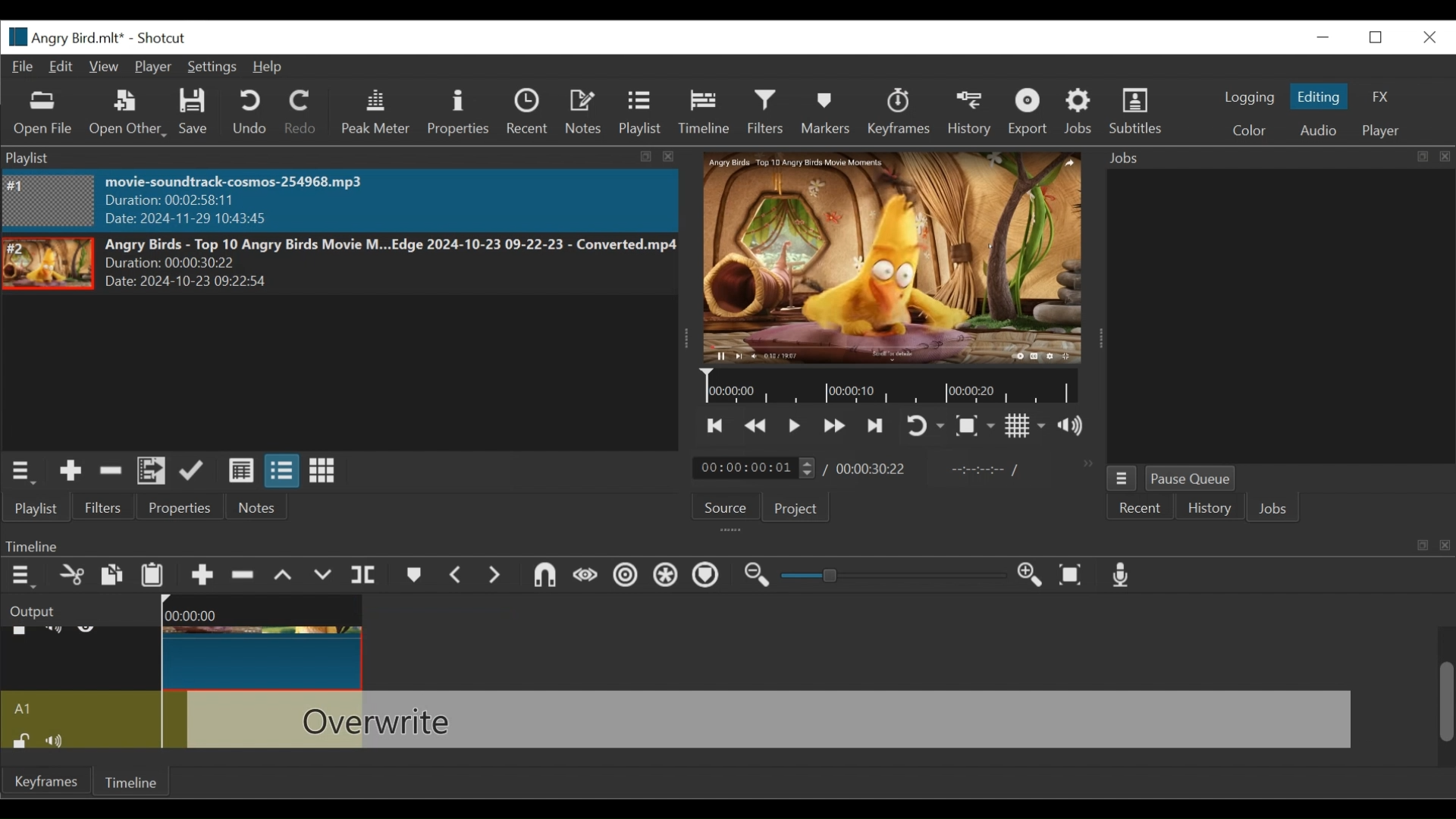 The image size is (1456, 819). Describe the element at coordinates (981, 469) in the screenshot. I see `In point` at that location.